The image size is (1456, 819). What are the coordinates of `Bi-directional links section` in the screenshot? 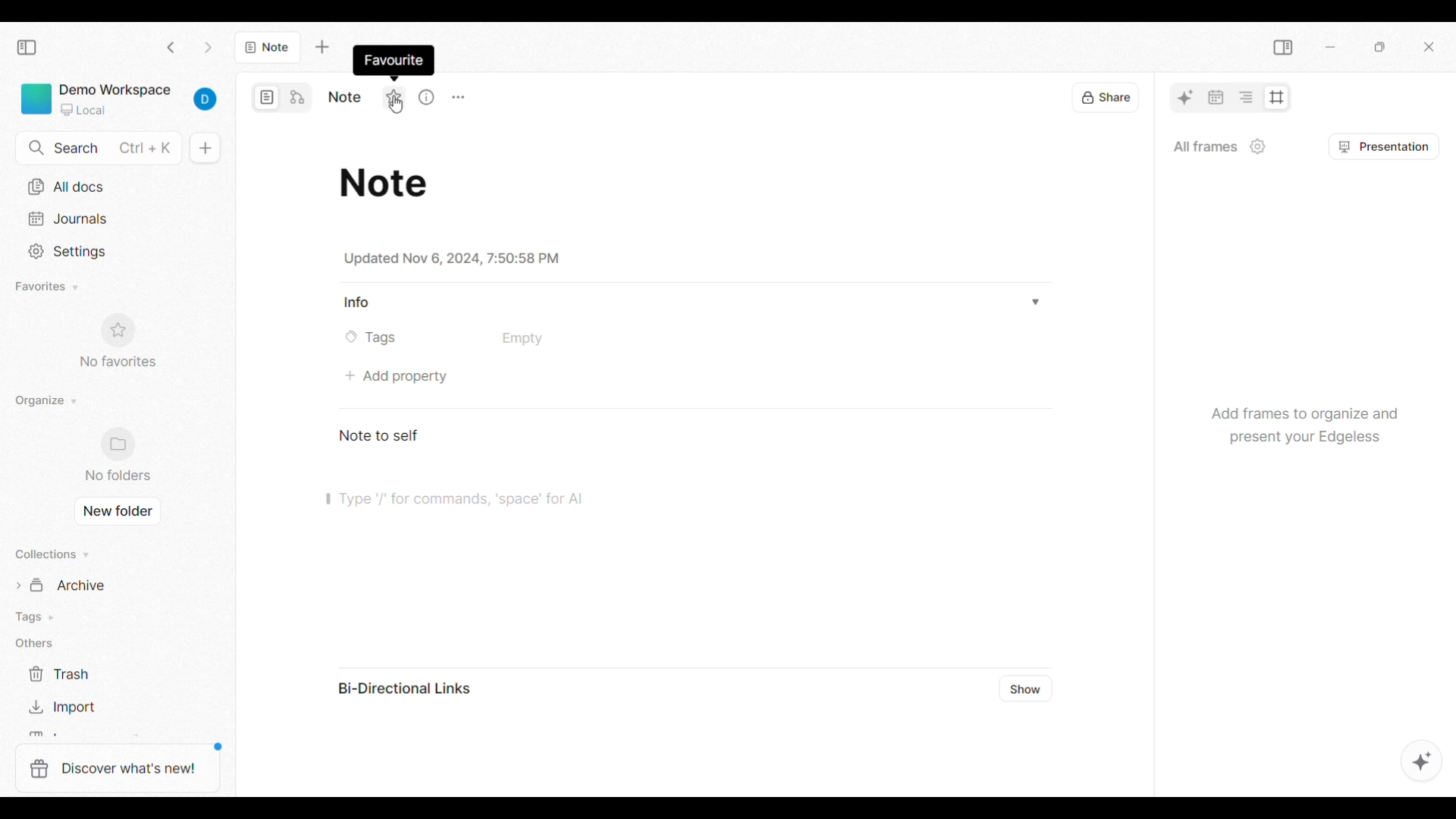 It's located at (661, 738).